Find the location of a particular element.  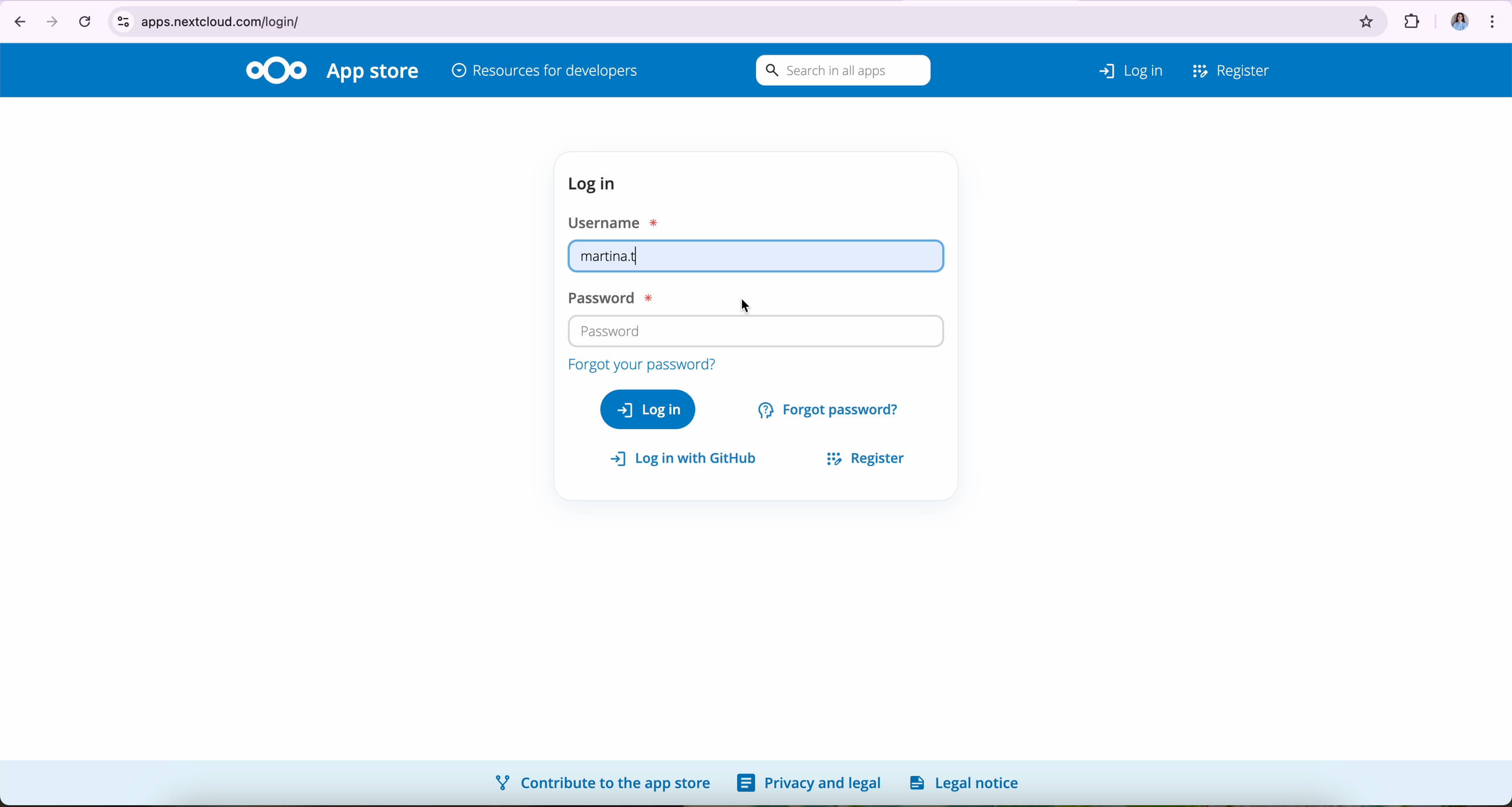

more is located at coordinates (1495, 18).